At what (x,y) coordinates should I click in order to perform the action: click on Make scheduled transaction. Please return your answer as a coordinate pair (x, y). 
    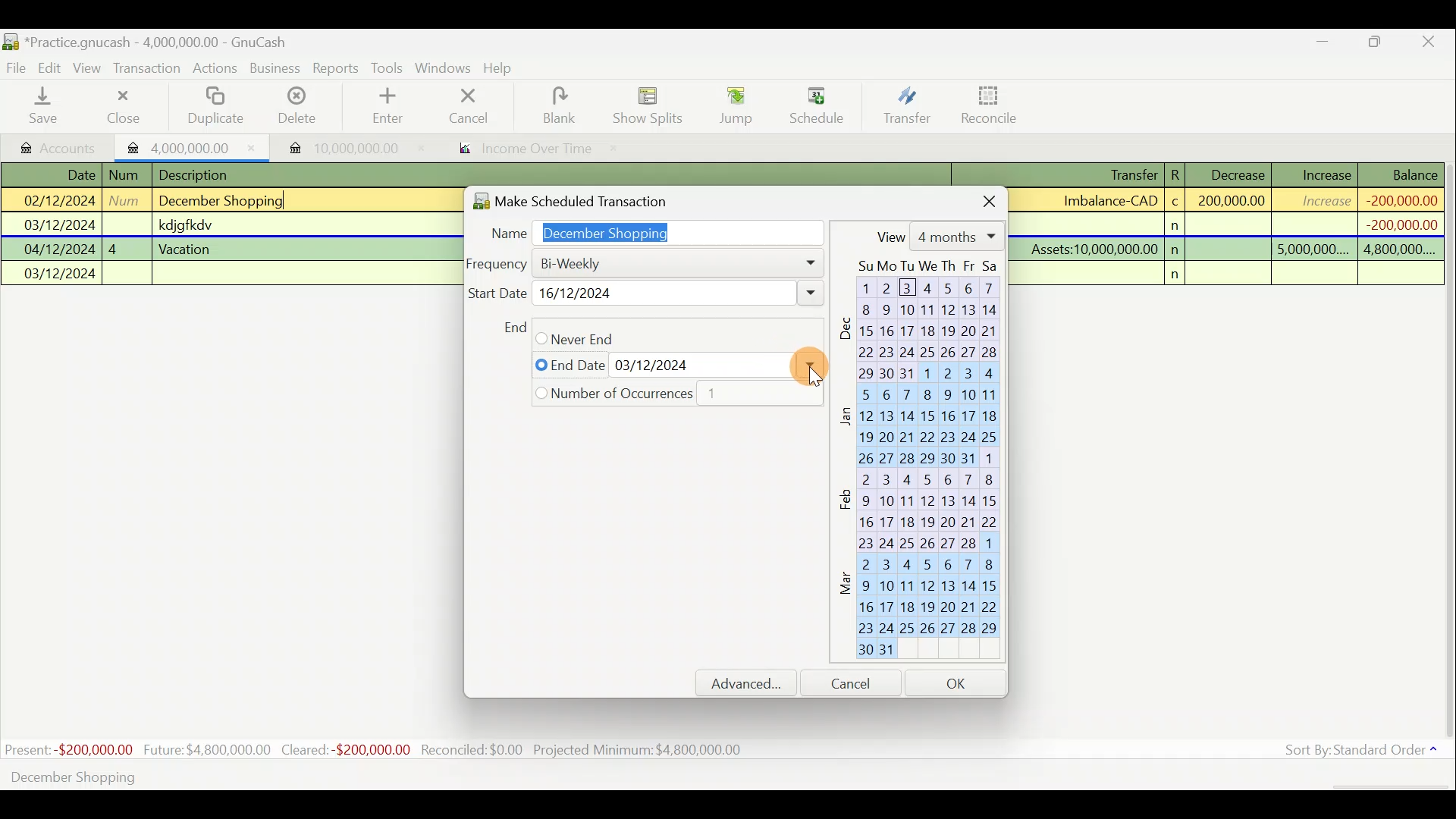
    Looking at the image, I should click on (595, 198).